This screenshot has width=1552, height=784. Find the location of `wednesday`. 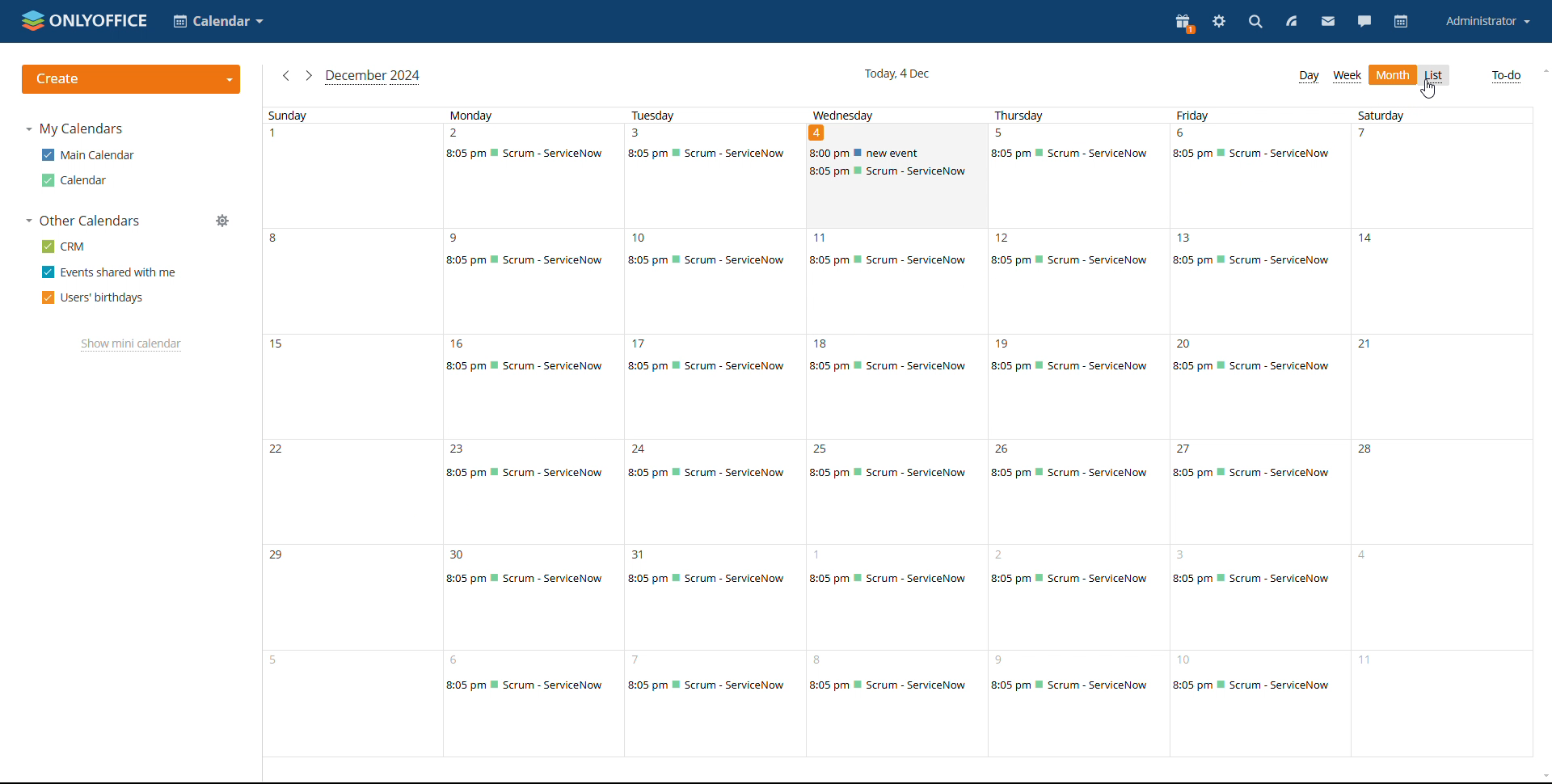

wednesday is located at coordinates (894, 508).